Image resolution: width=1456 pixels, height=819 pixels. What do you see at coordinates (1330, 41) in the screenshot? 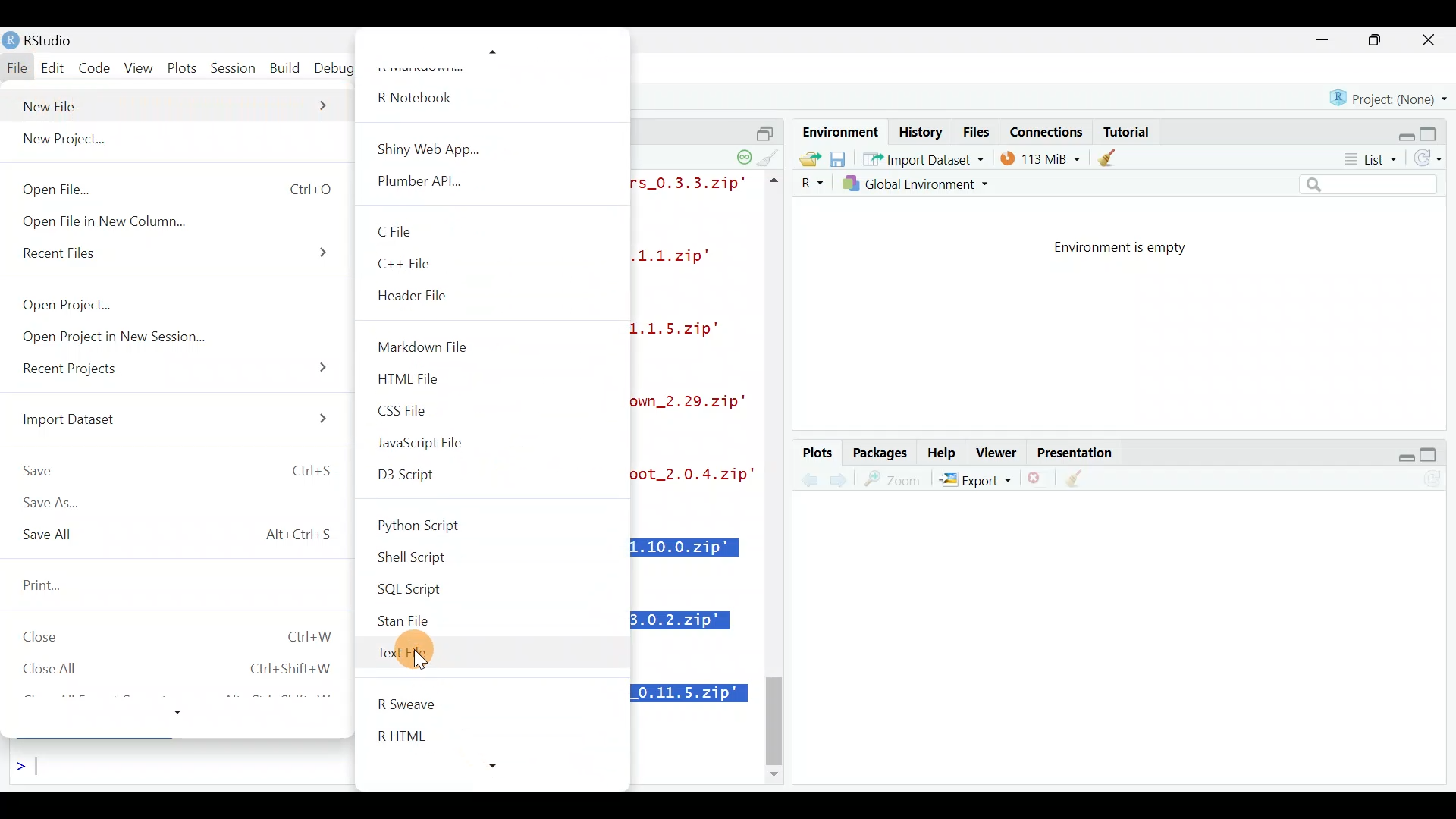
I see `minimize` at bounding box center [1330, 41].